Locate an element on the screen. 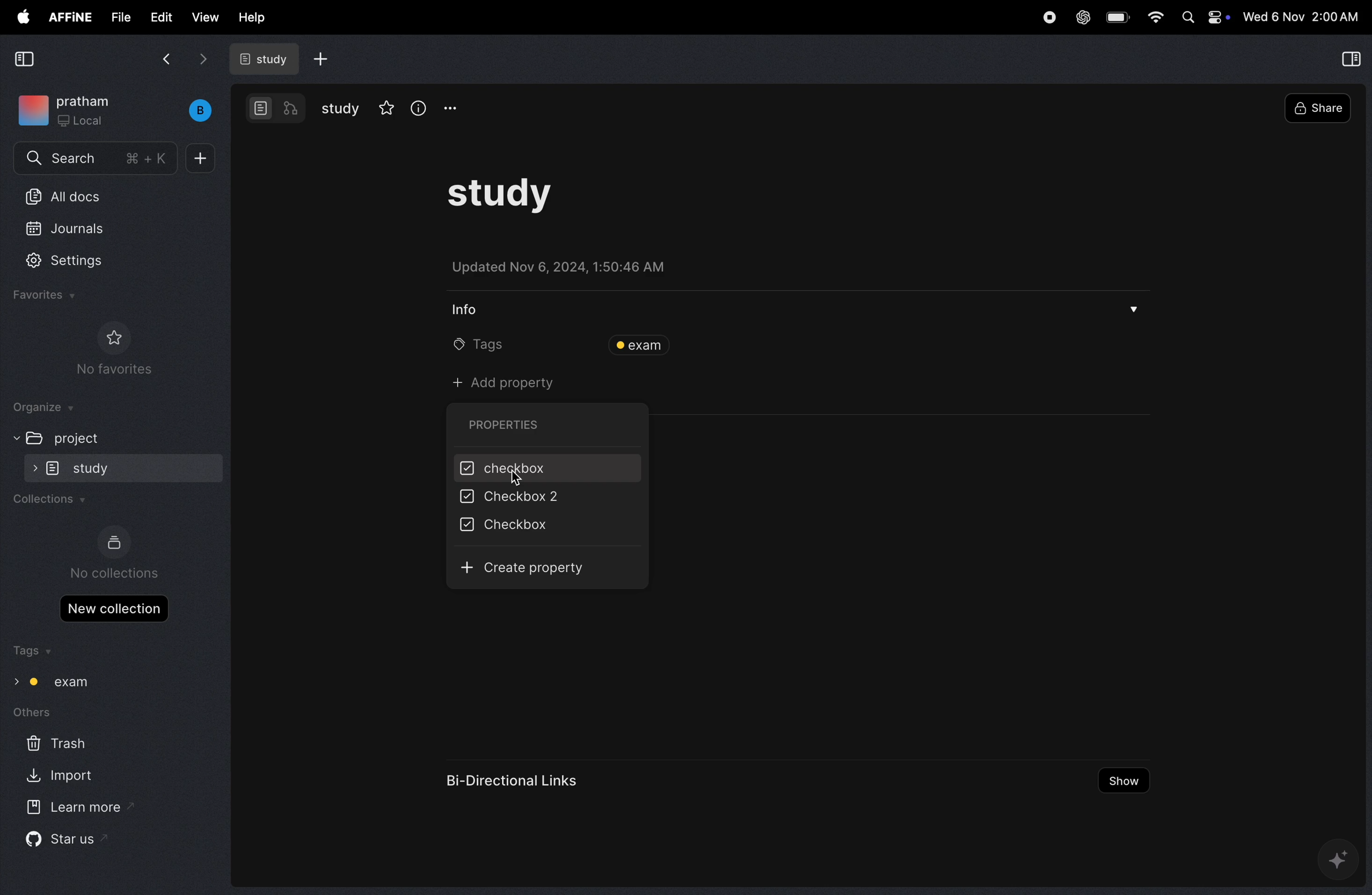 This screenshot has height=895, width=1372. battery is located at coordinates (1118, 18).